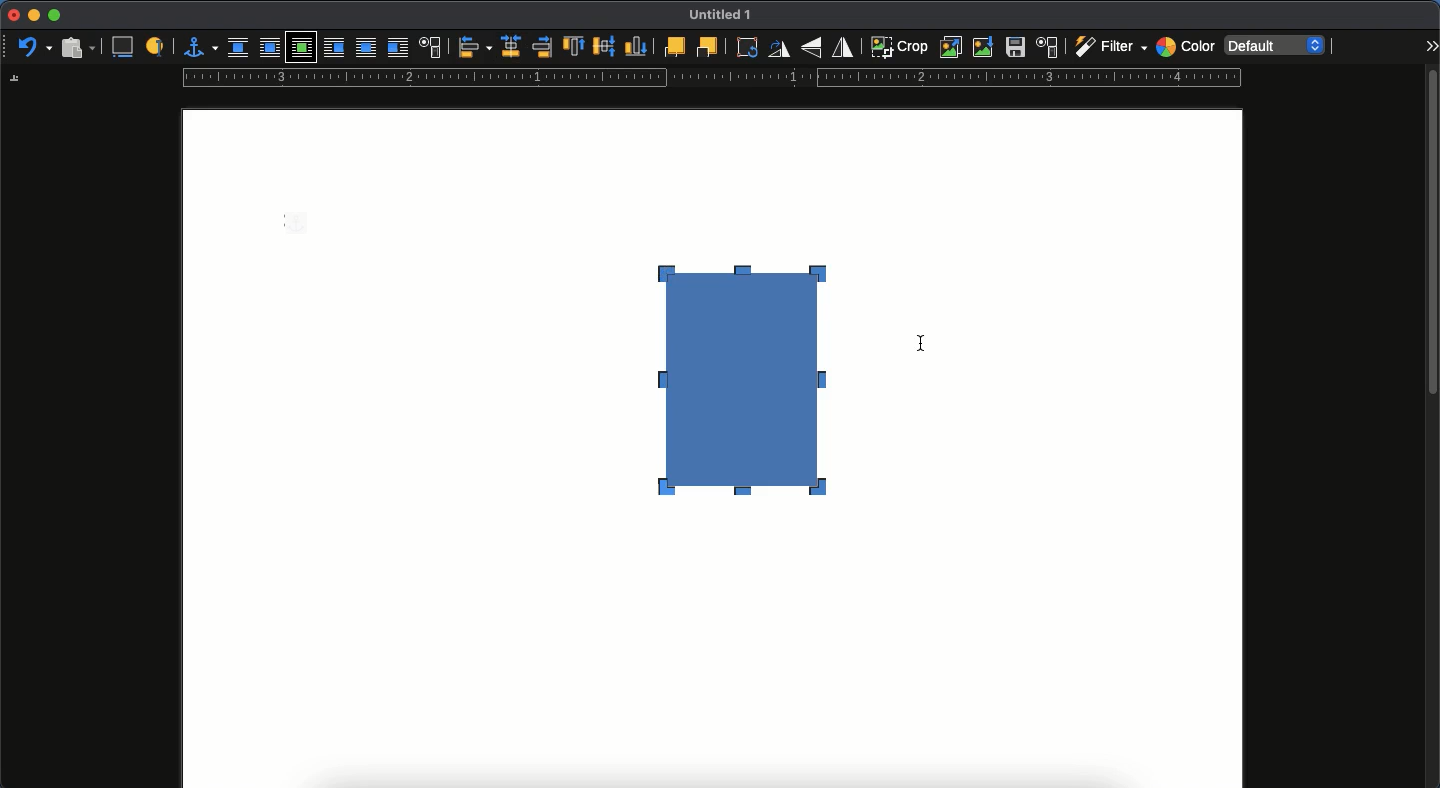  What do you see at coordinates (1431, 45) in the screenshot?
I see `expand` at bounding box center [1431, 45].